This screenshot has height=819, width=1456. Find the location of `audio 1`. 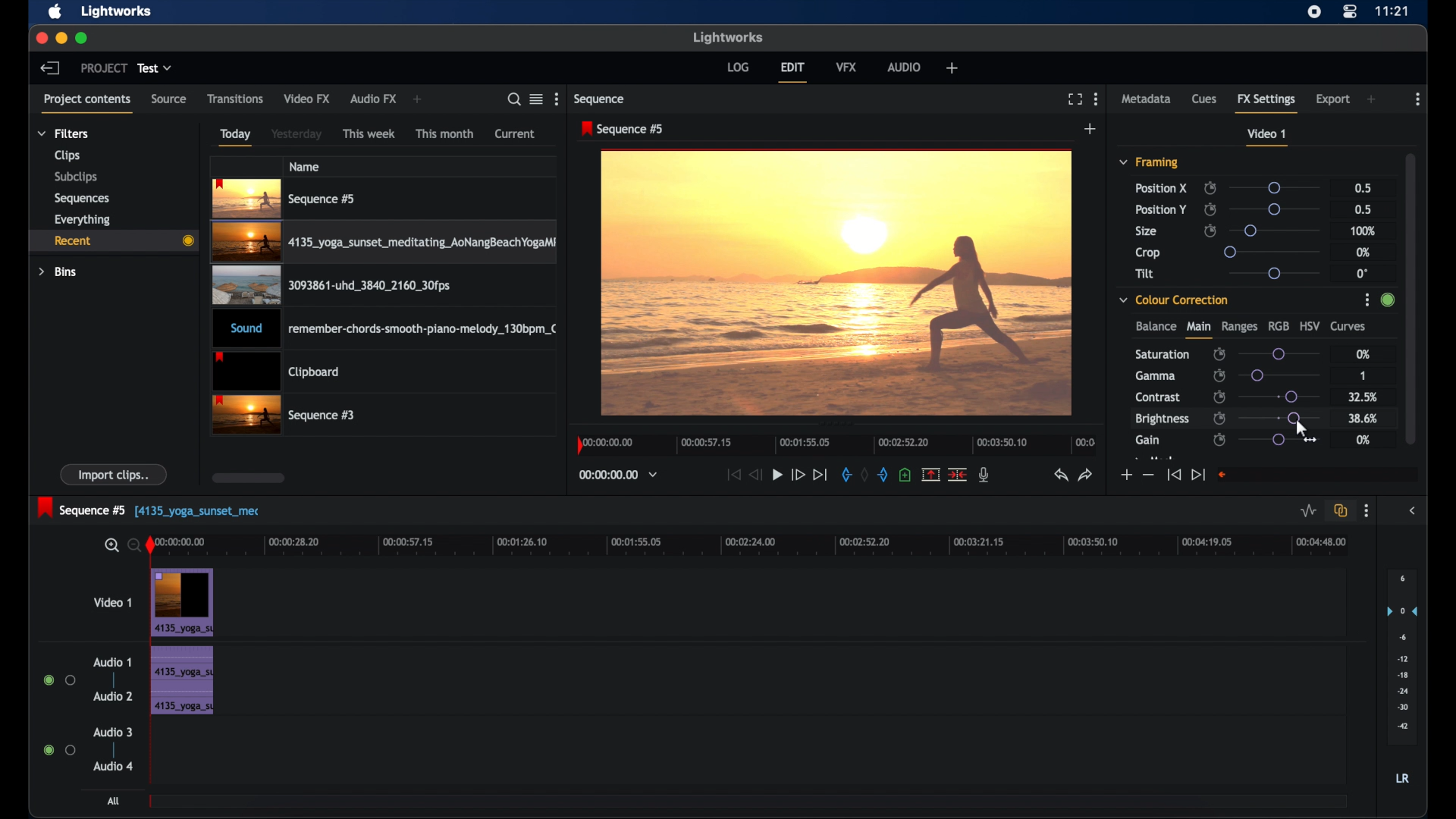

audio 1 is located at coordinates (111, 662).